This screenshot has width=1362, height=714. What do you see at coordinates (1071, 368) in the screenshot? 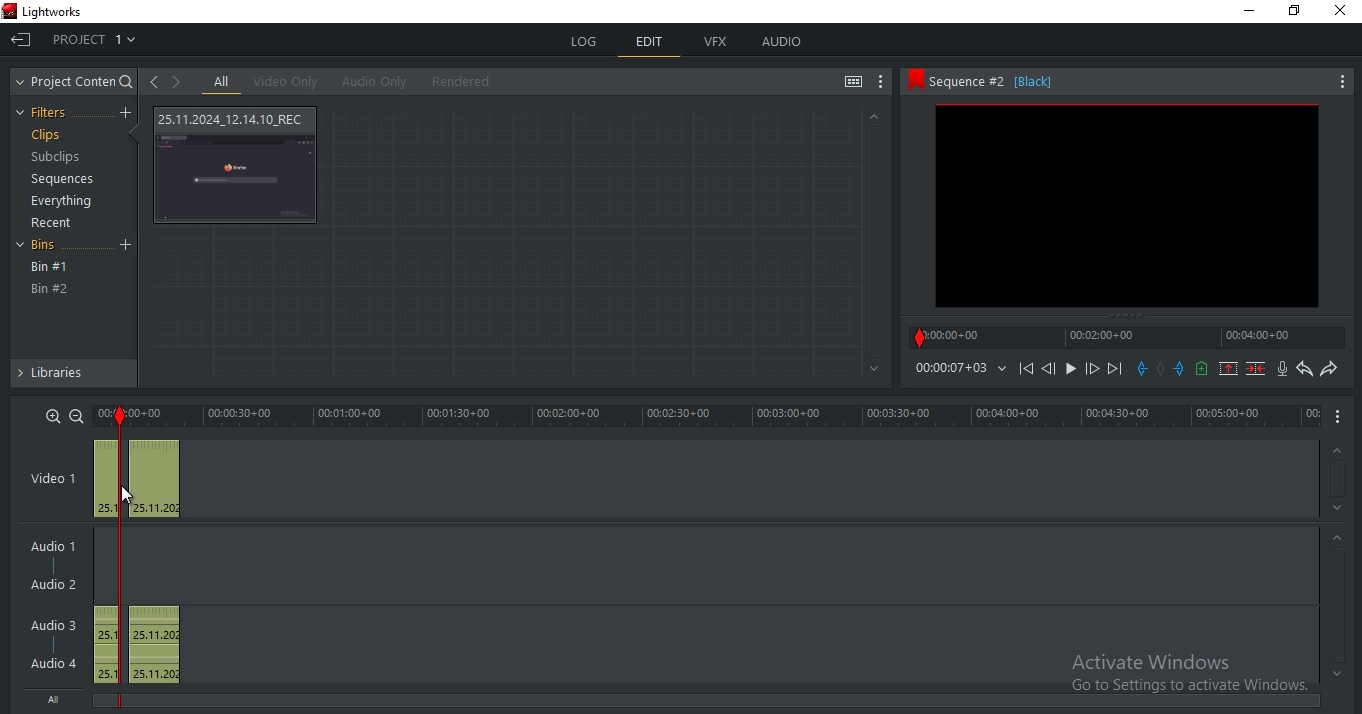
I see `Play` at bounding box center [1071, 368].